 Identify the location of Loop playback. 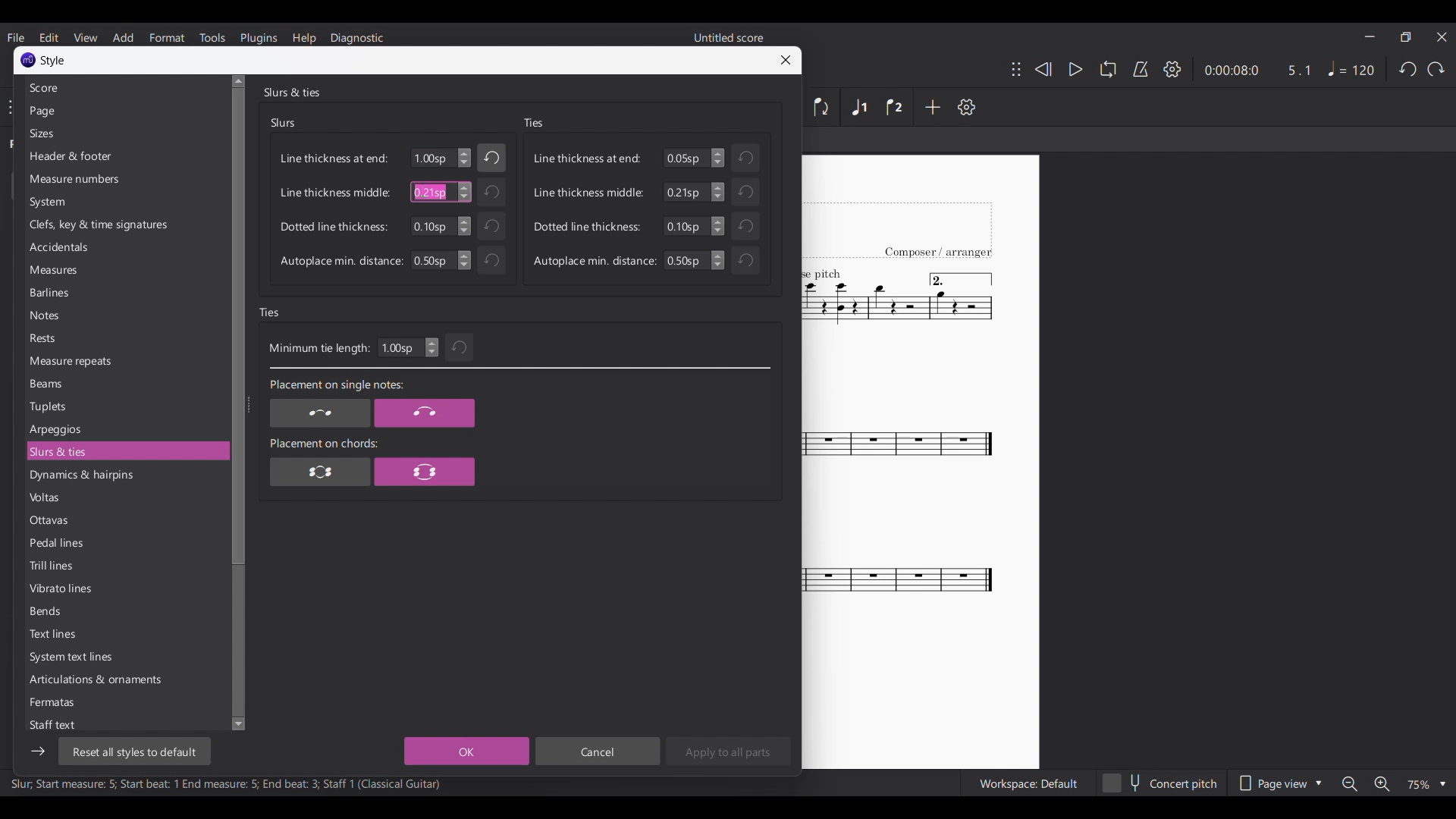
(1108, 69).